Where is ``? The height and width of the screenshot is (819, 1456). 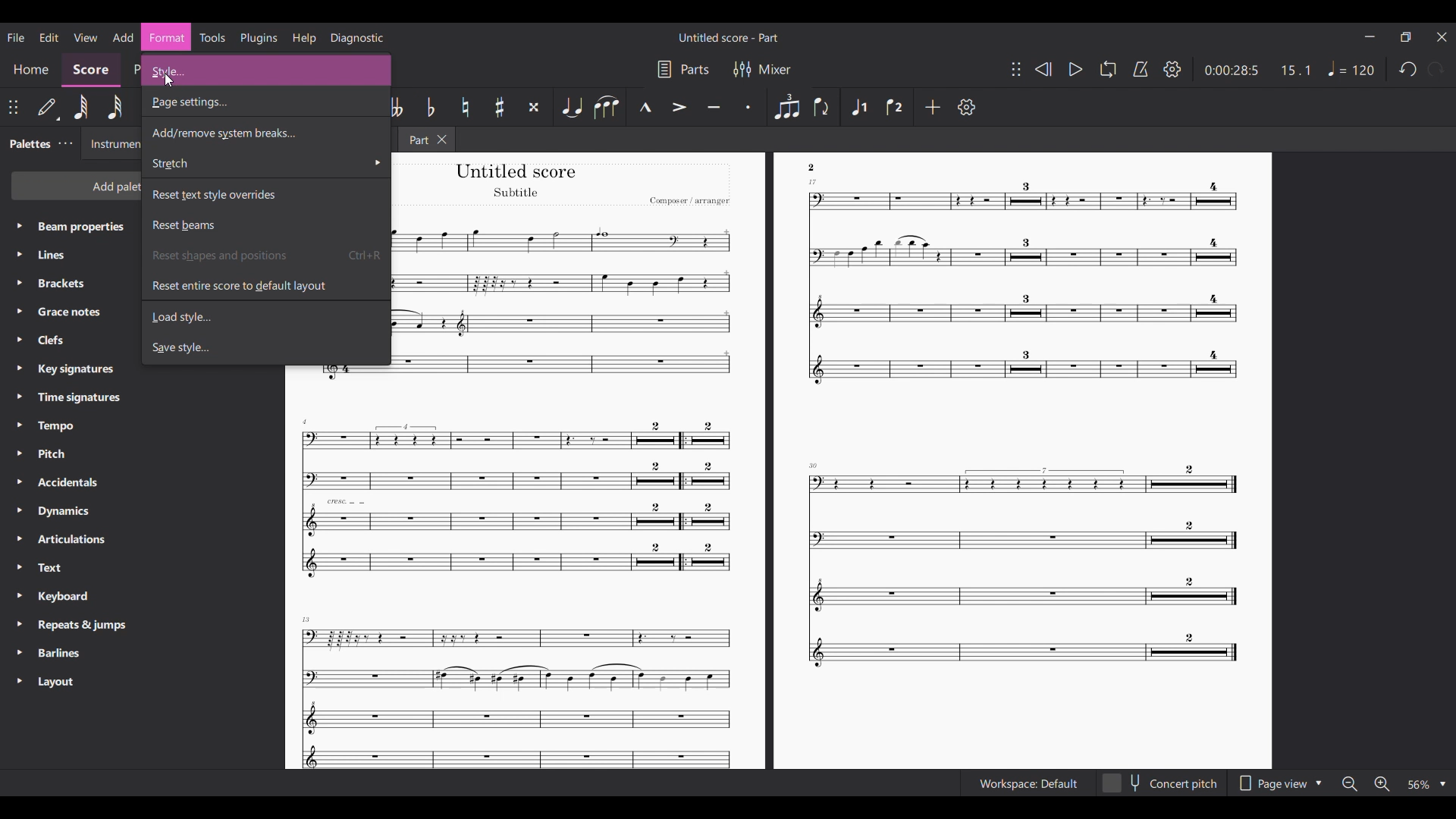  is located at coordinates (517, 691).